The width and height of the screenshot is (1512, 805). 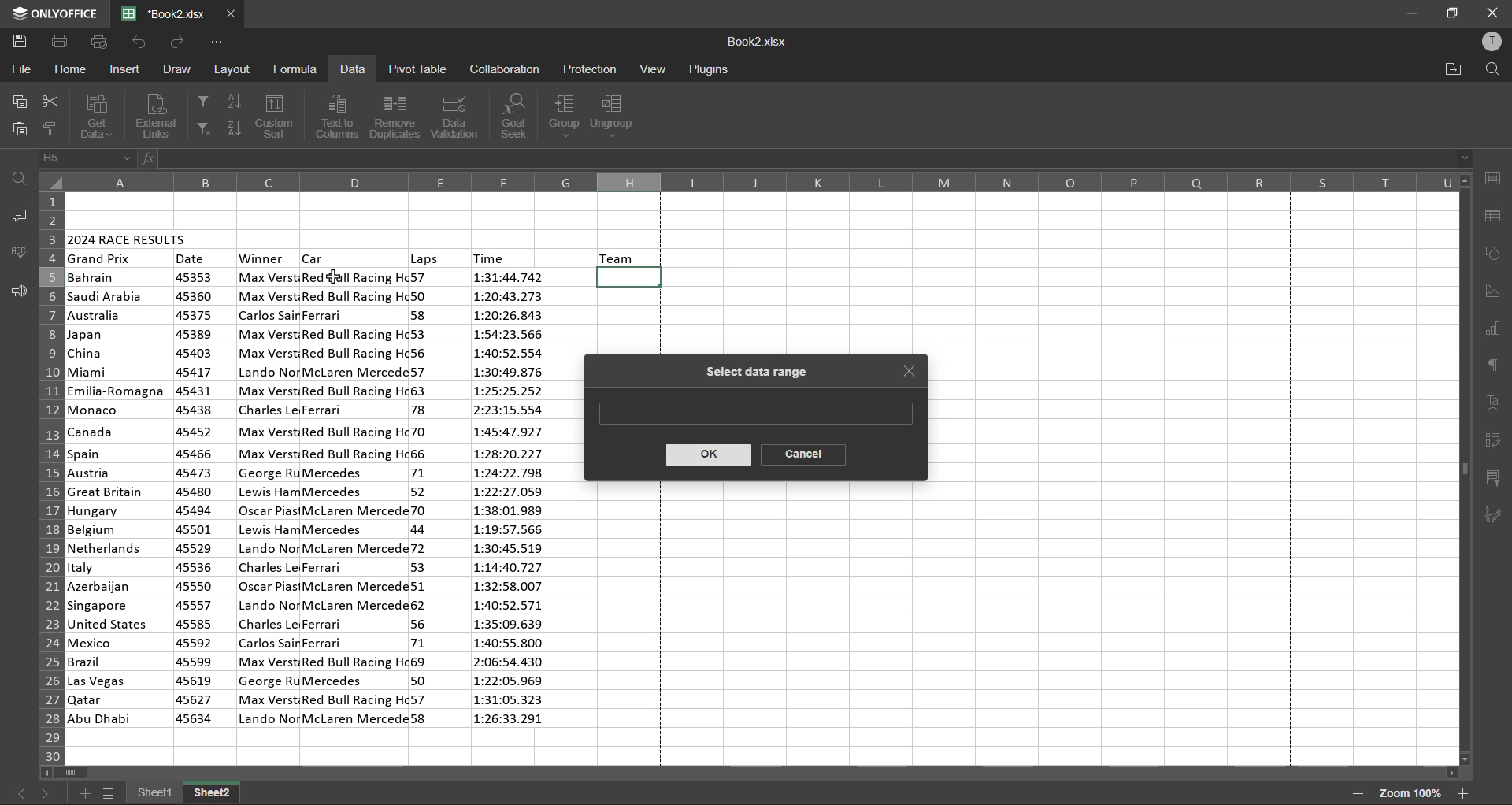 I want to click on quick print, so click(x=98, y=42).